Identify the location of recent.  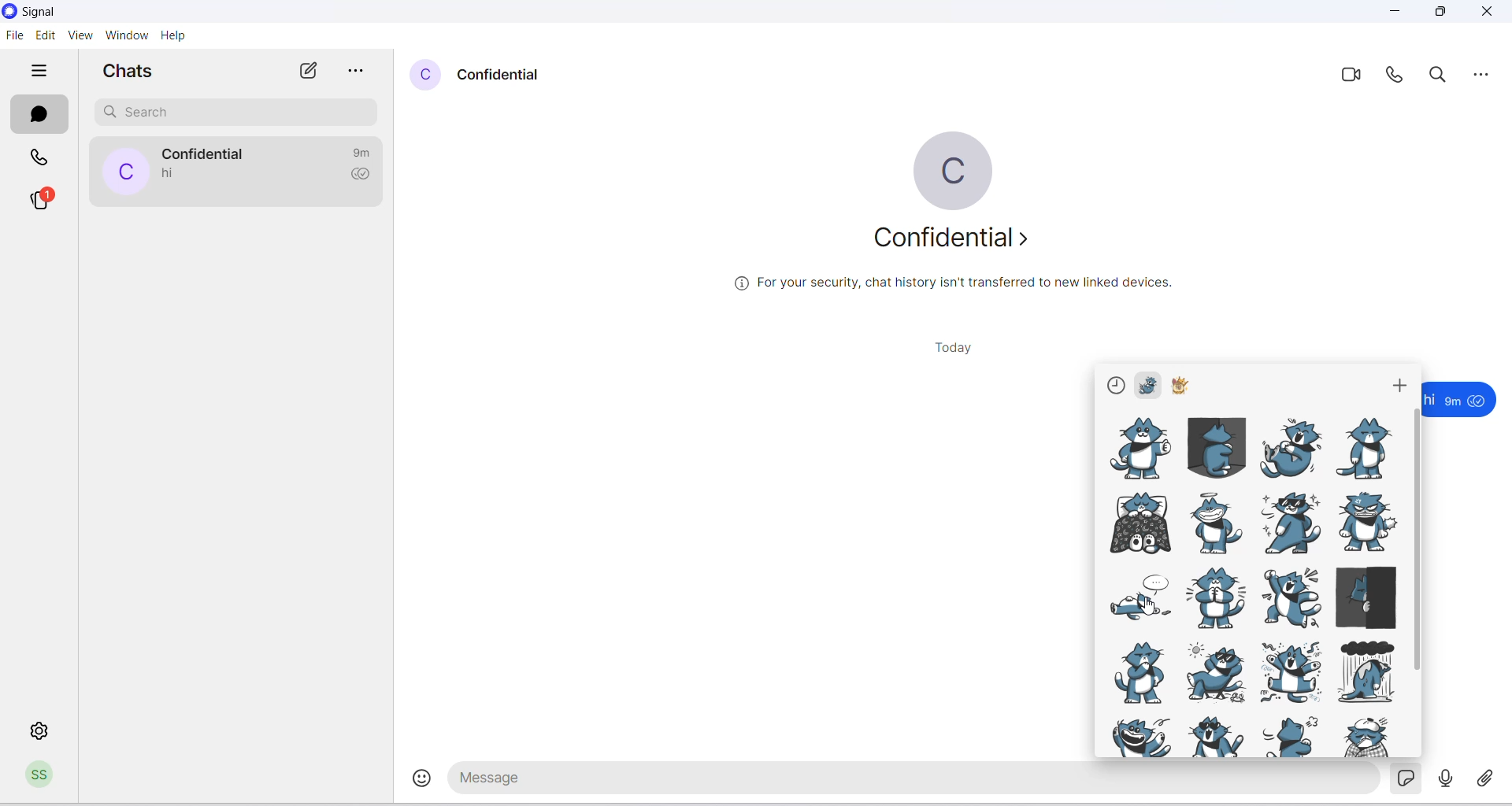
(1116, 387).